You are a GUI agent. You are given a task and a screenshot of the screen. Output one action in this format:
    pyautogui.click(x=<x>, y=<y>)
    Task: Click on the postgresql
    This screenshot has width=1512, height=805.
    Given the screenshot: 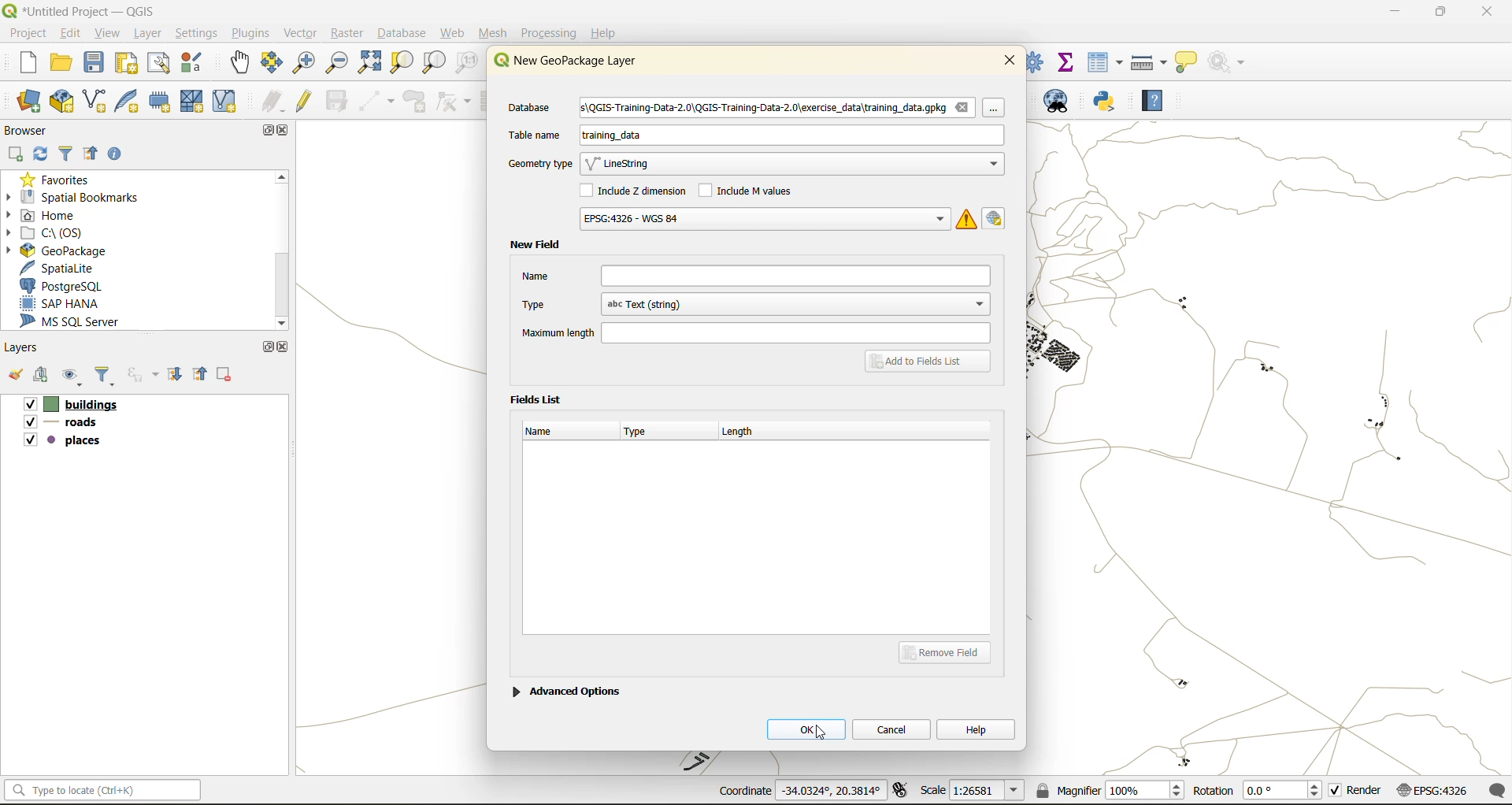 What is the action you would take?
    pyautogui.click(x=73, y=286)
    